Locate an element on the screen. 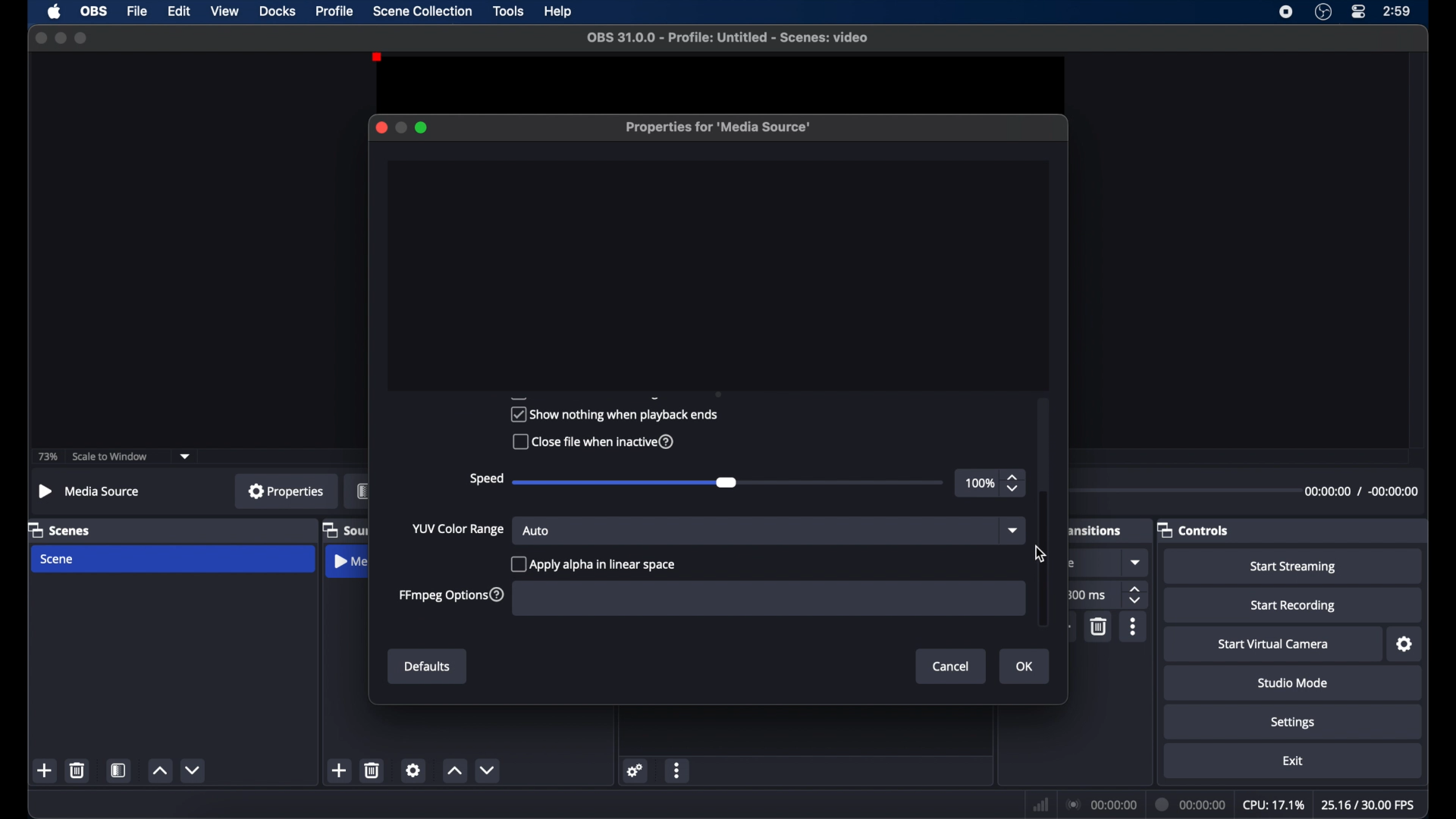 The height and width of the screenshot is (819, 1456). studio mode is located at coordinates (1291, 684).